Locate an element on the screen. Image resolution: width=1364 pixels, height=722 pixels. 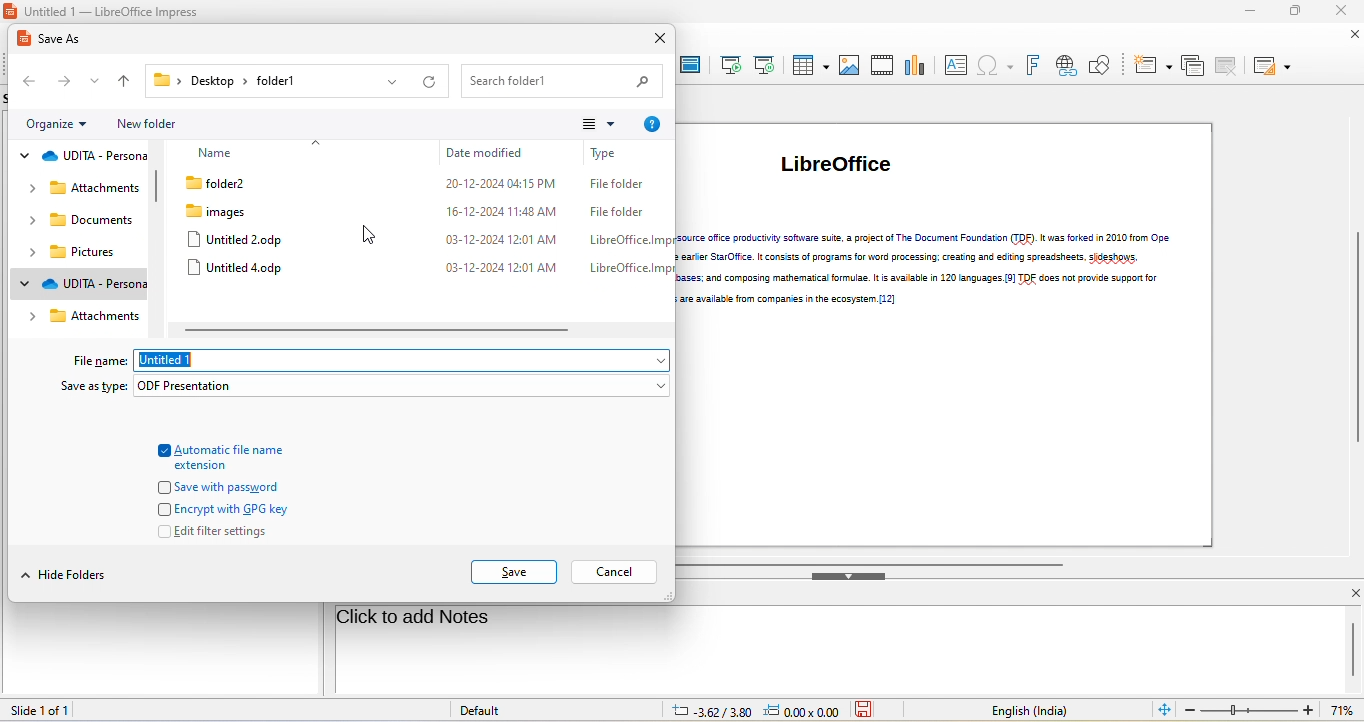
vertical scroll bar is located at coordinates (159, 187).